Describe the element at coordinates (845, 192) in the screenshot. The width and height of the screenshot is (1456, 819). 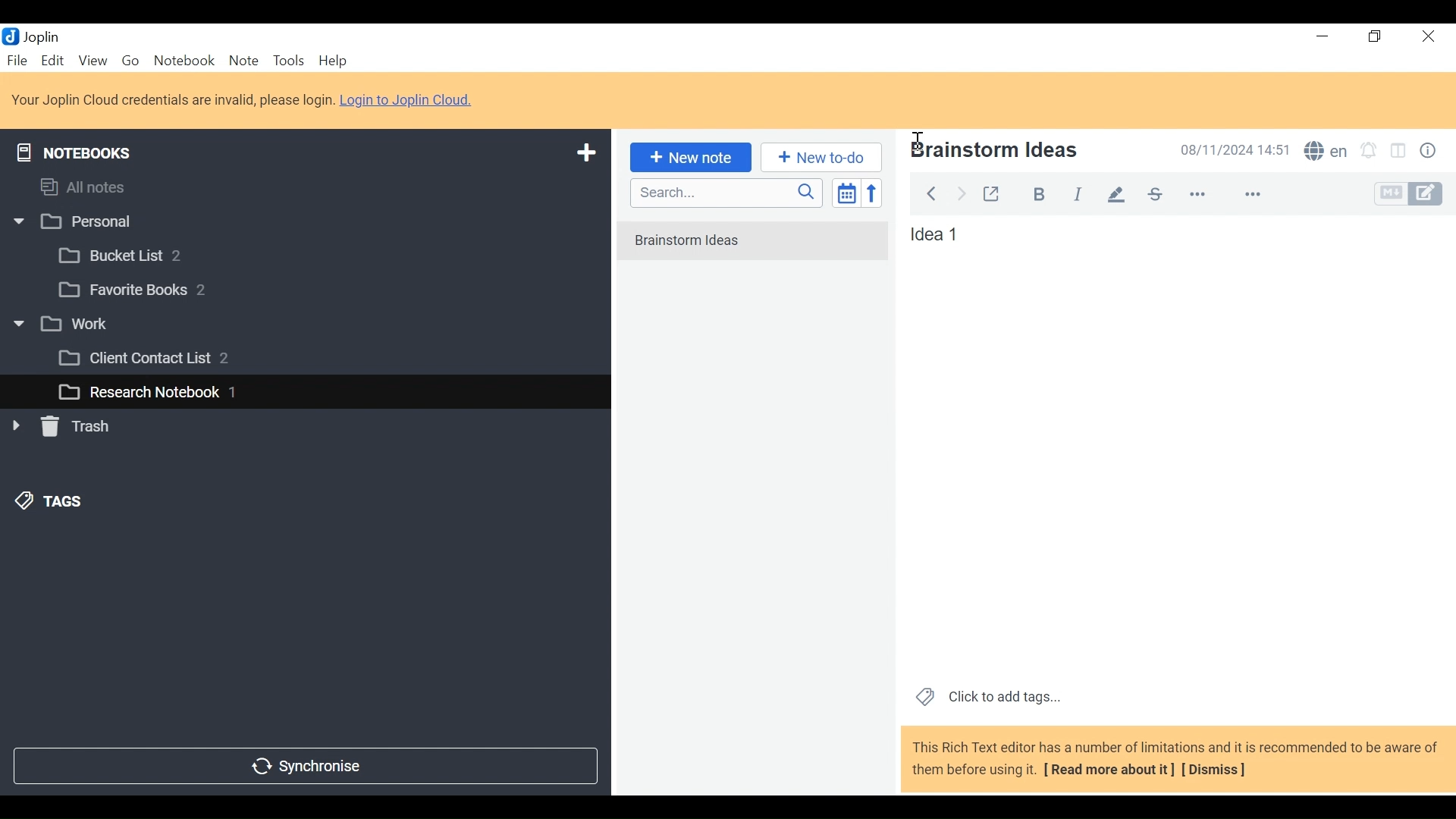
I see `Toggle sort order field` at that location.